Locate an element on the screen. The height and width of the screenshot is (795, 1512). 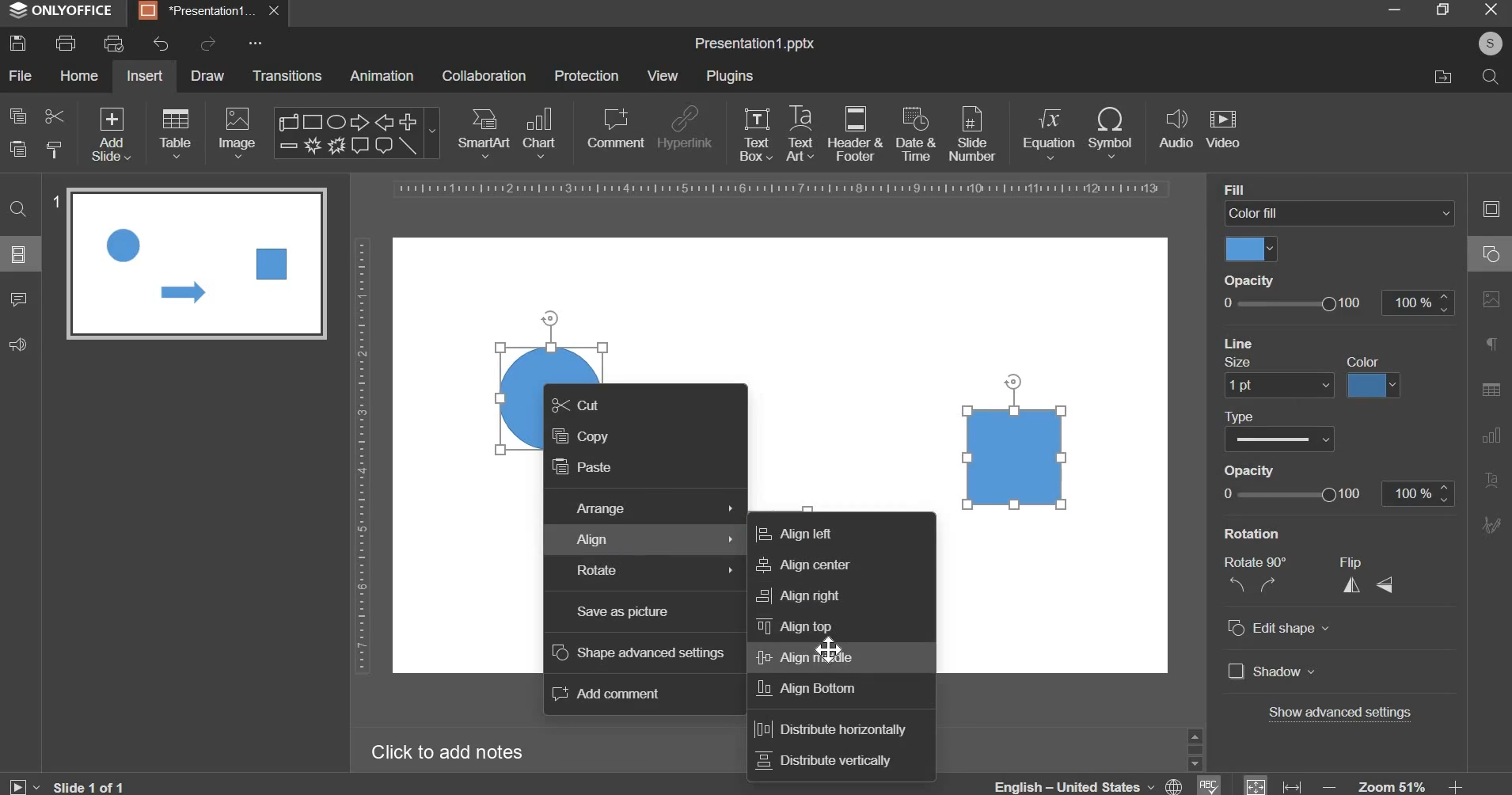
shadow is located at coordinates (1272, 673).